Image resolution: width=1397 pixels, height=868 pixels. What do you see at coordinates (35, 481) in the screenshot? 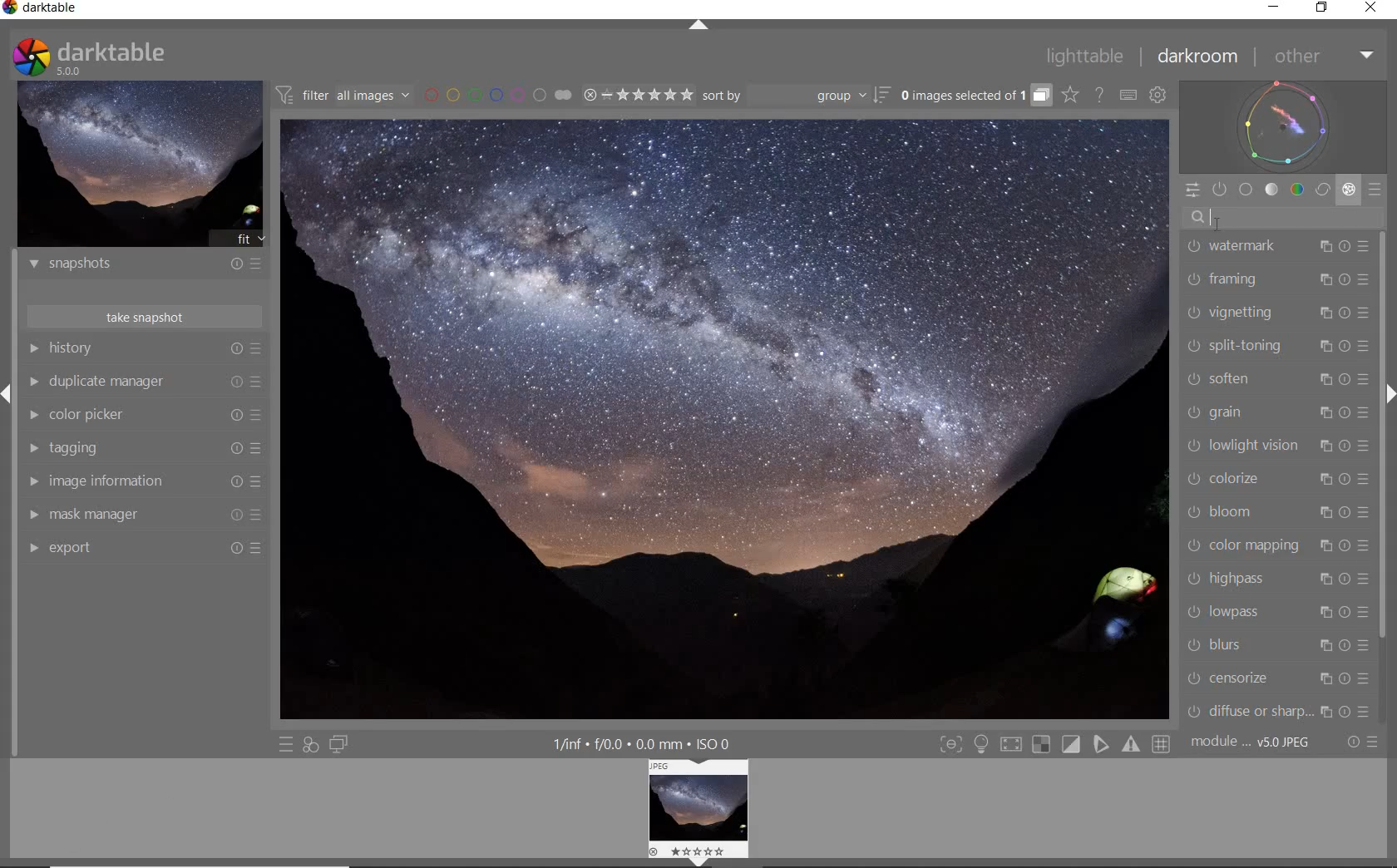
I see `IMAGE INFORMATION` at bounding box center [35, 481].